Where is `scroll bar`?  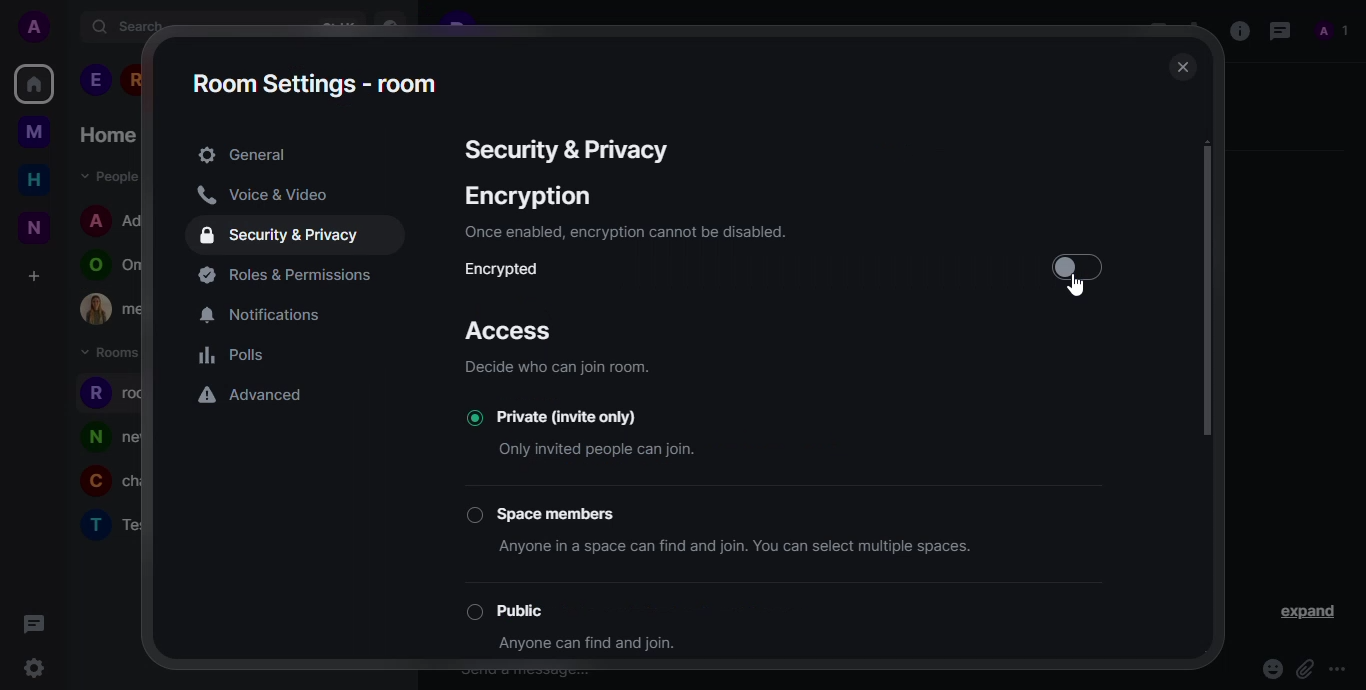
scroll bar is located at coordinates (1212, 290).